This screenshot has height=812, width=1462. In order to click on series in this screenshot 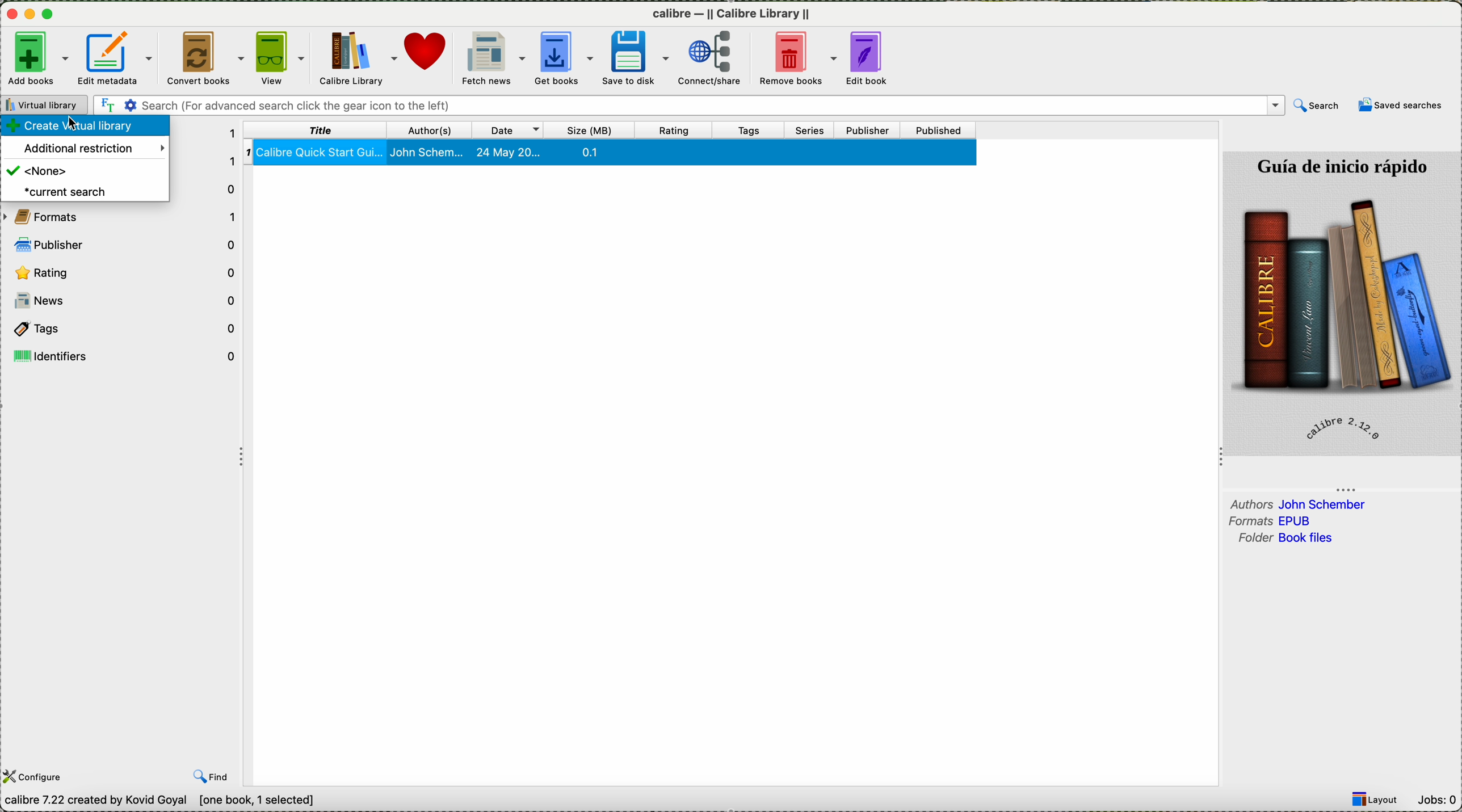, I will do `click(814, 131)`.